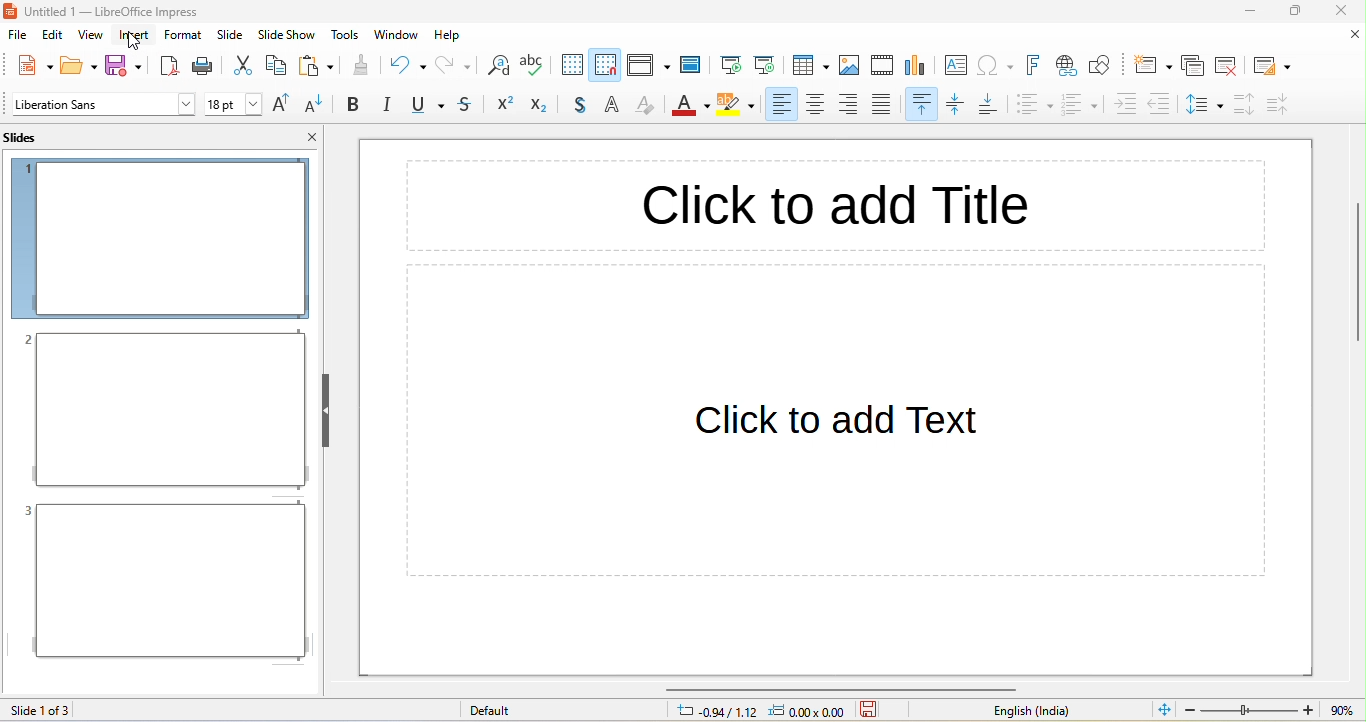  Describe the element at coordinates (816, 105) in the screenshot. I see `align center` at that location.